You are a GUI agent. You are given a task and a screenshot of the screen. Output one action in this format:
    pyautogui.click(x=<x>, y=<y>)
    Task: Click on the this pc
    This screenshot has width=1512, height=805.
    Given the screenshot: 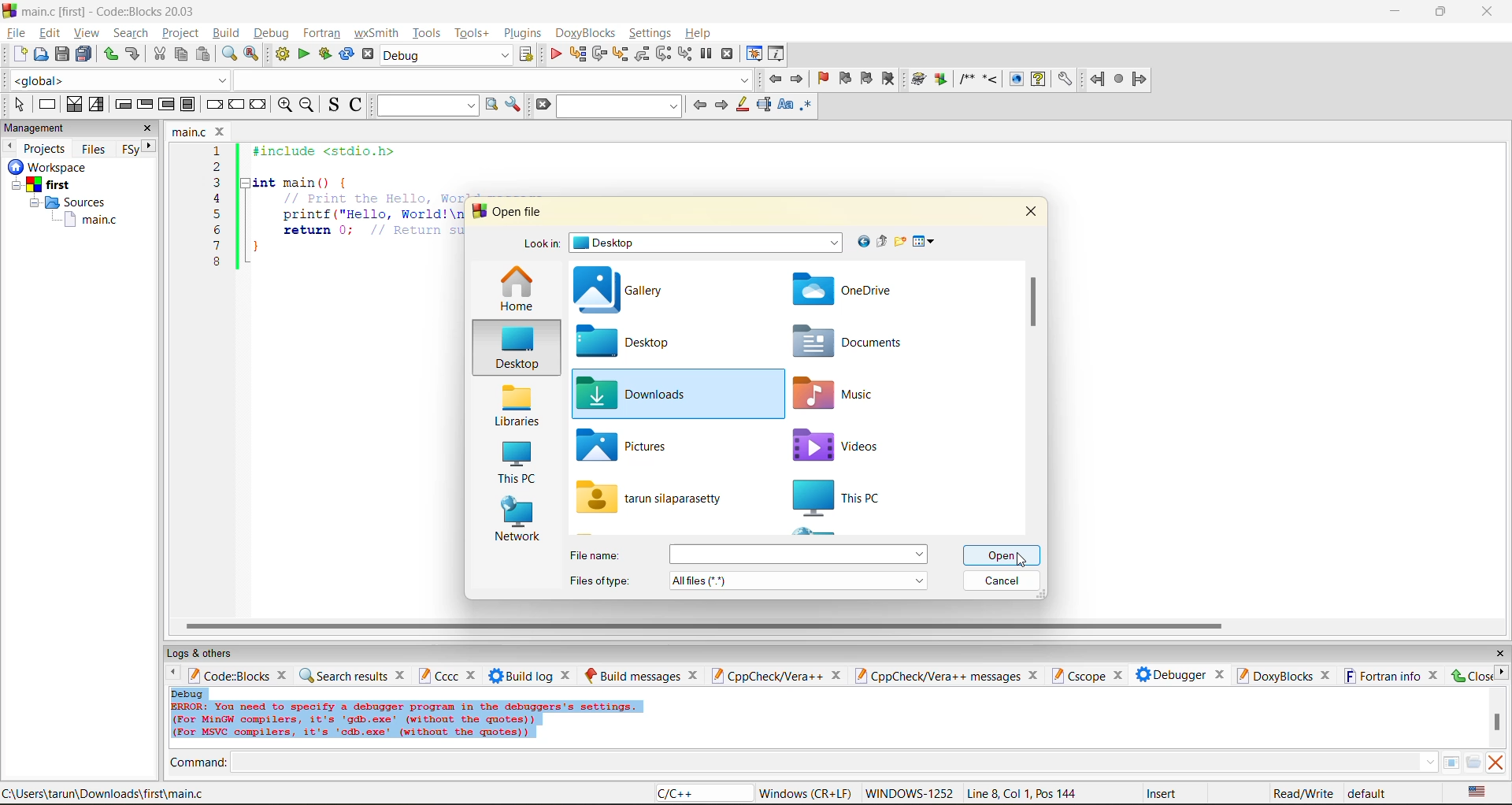 What is the action you would take?
    pyautogui.click(x=860, y=499)
    